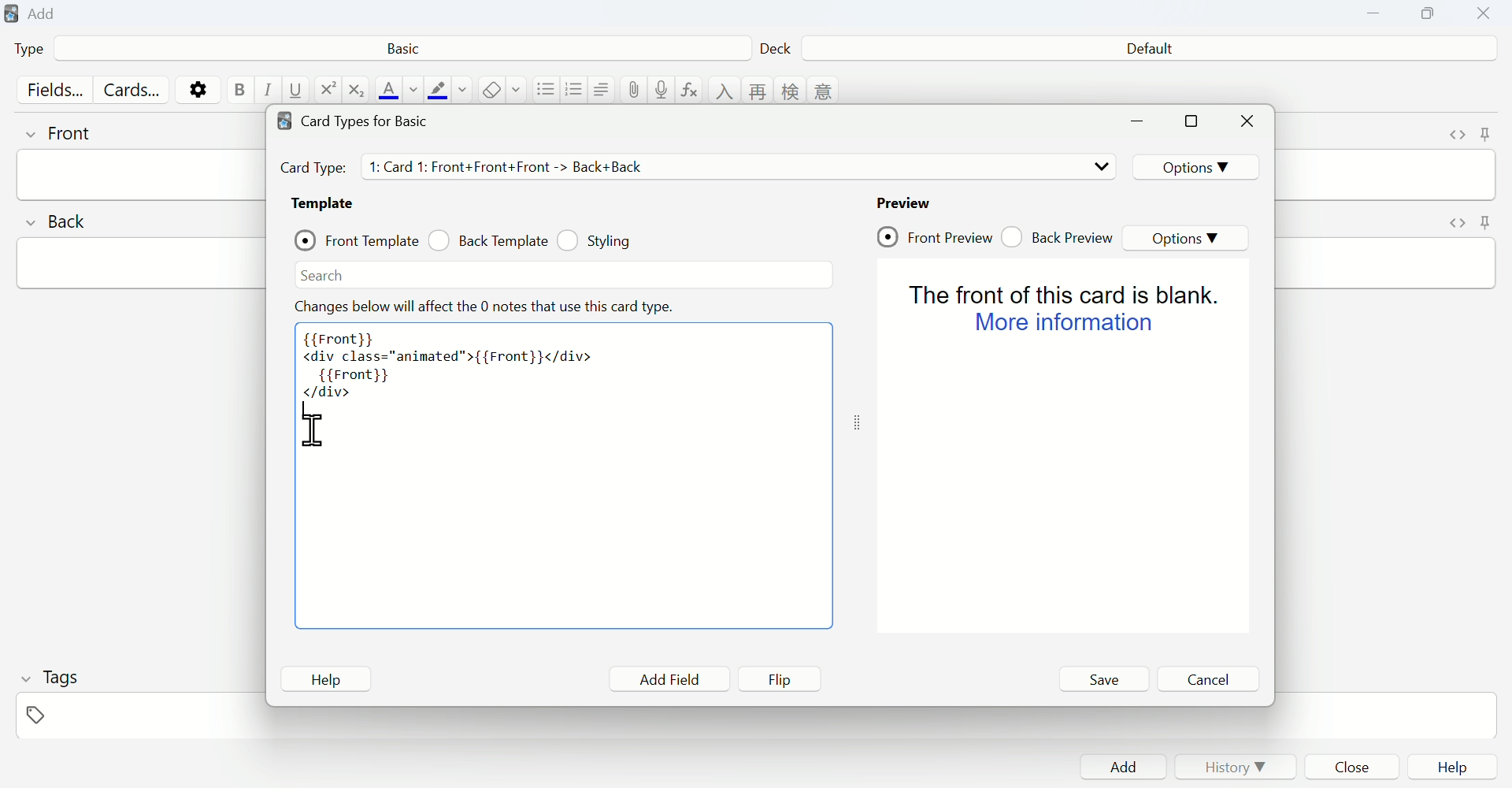 This screenshot has height=788, width=1512. What do you see at coordinates (413, 90) in the screenshot?
I see `change color` at bounding box center [413, 90].